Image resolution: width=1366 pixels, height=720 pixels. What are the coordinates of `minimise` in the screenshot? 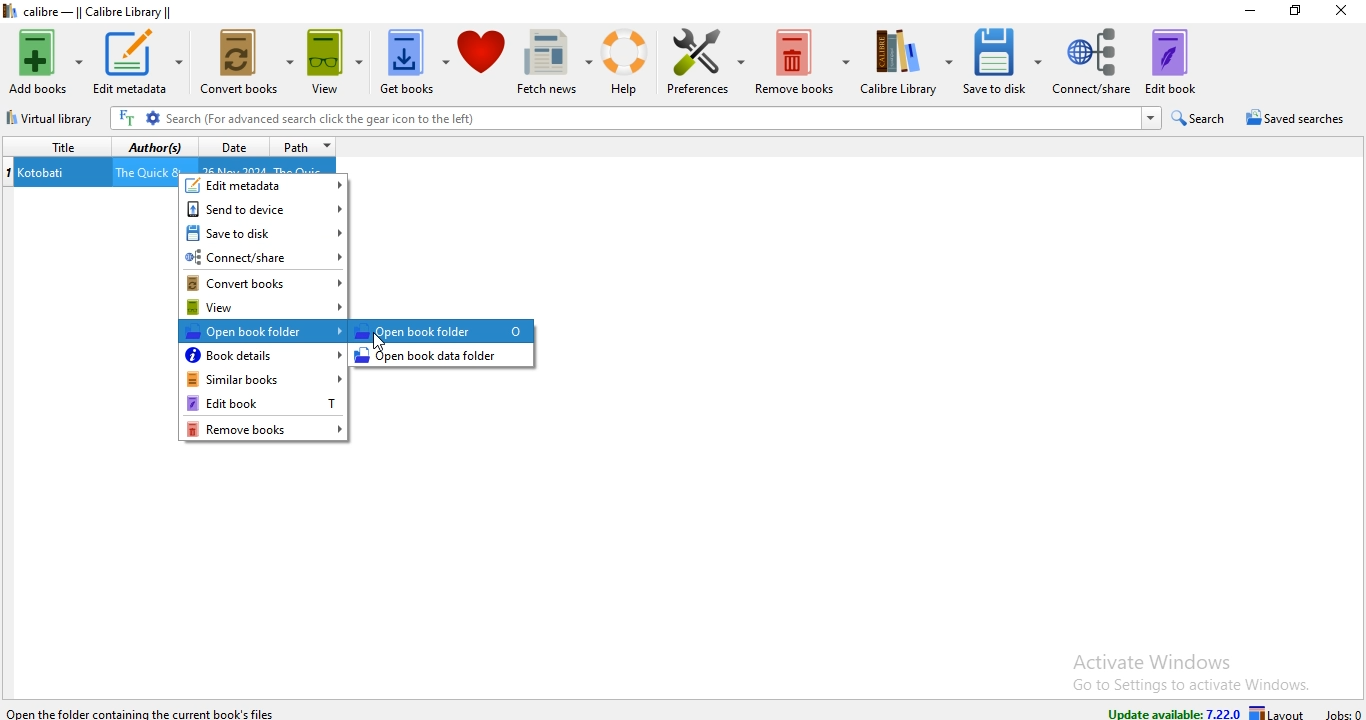 It's located at (1242, 13).